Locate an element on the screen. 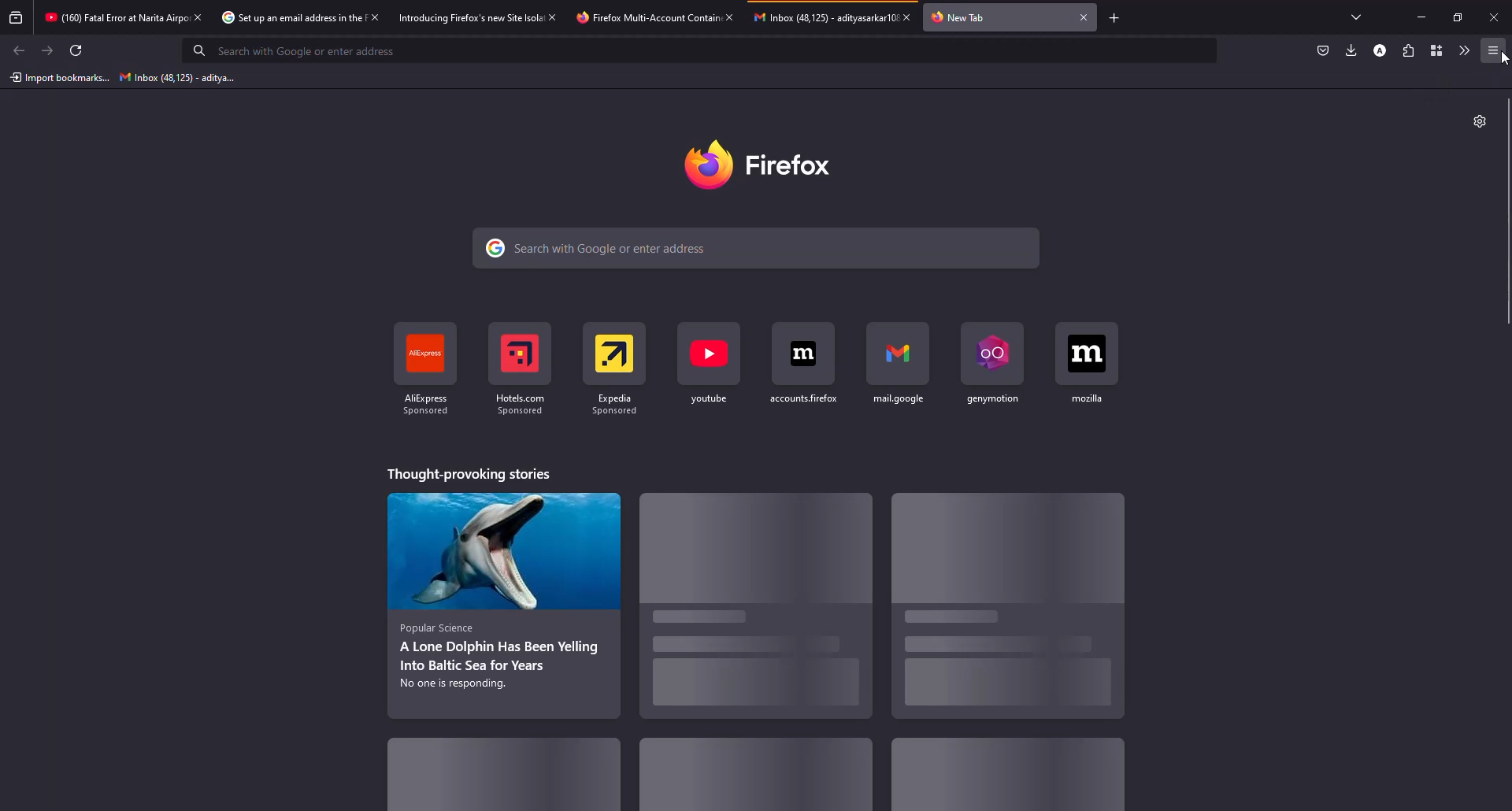  settings is located at coordinates (1479, 122).